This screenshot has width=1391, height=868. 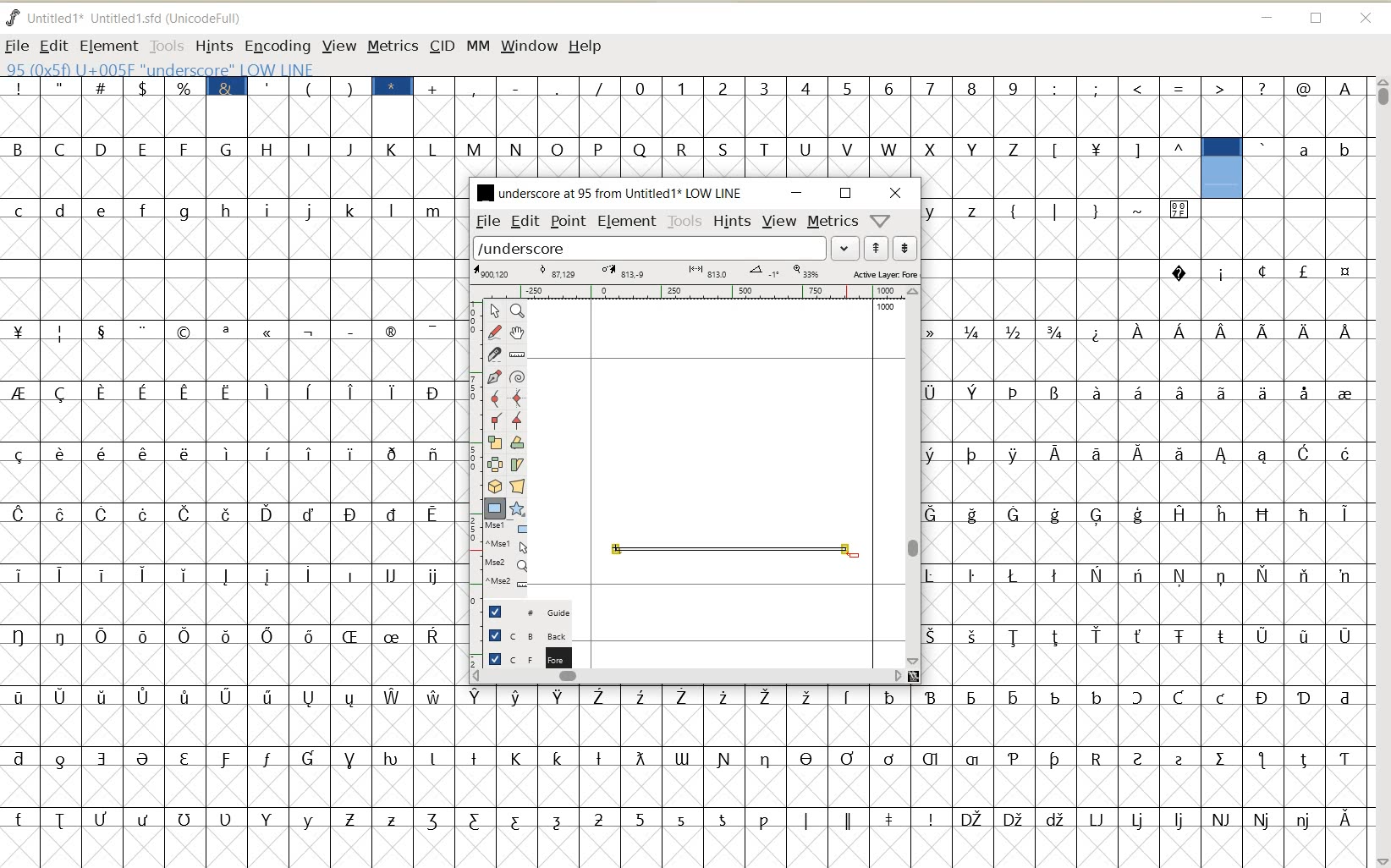 What do you see at coordinates (896, 193) in the screenshot?
I see `CLOSE` at bounding box center [896, 193].